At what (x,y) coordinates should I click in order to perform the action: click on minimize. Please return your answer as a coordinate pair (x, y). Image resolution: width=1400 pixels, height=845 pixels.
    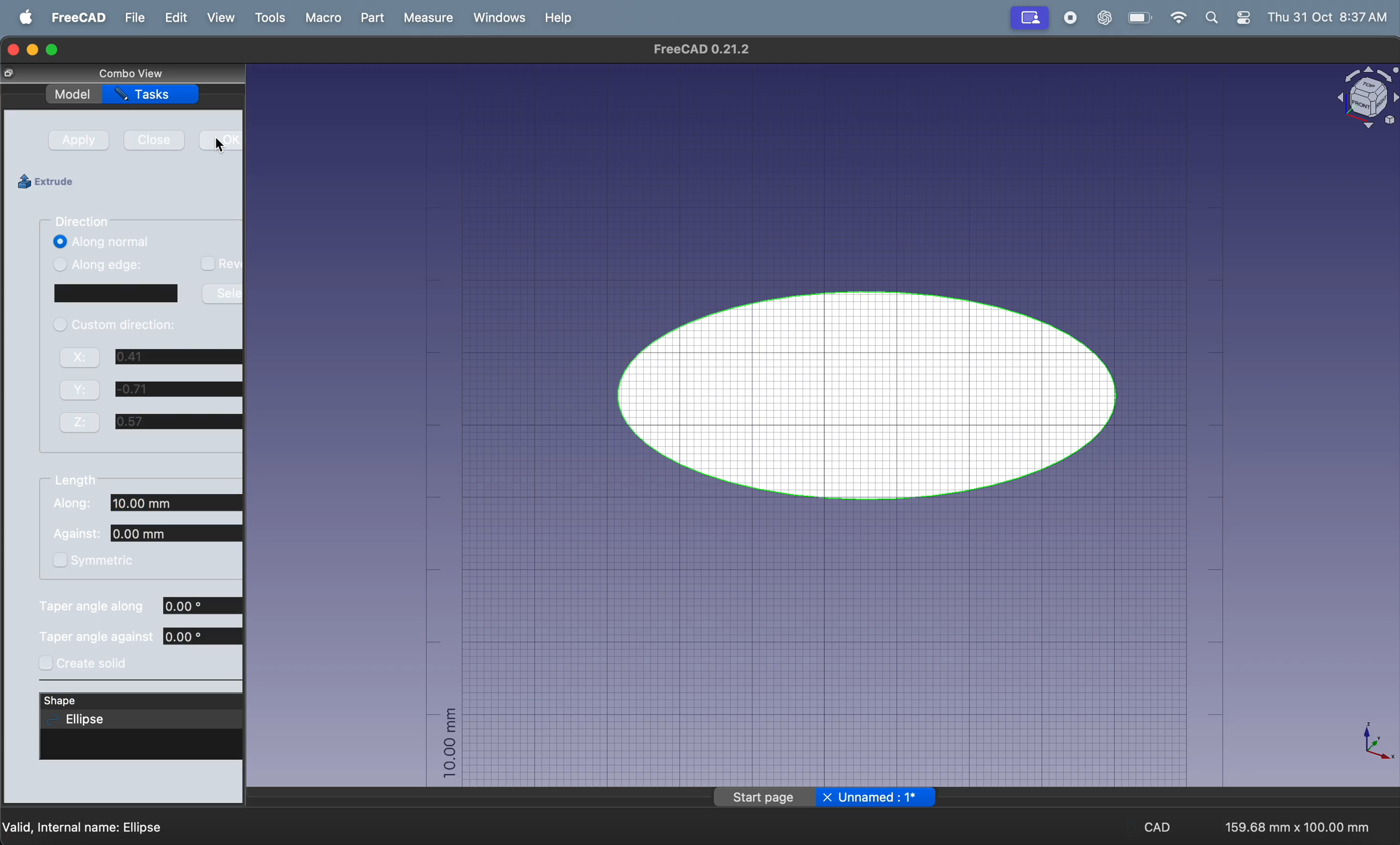
    Looking at the image, I should click on (35, 51).